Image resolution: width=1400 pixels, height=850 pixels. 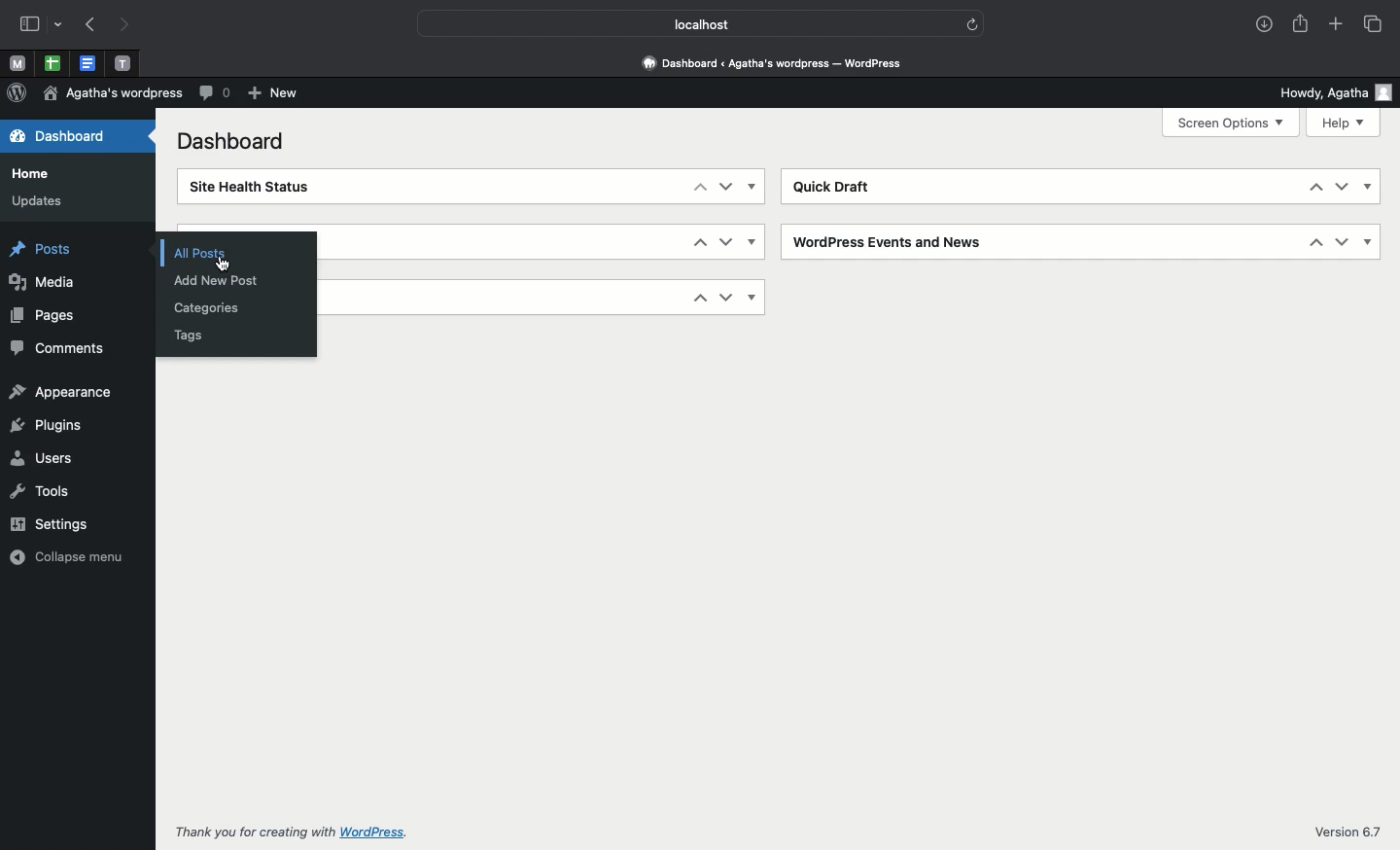 I want to click on Wordpress dashboard, so click(x=770, y=59).